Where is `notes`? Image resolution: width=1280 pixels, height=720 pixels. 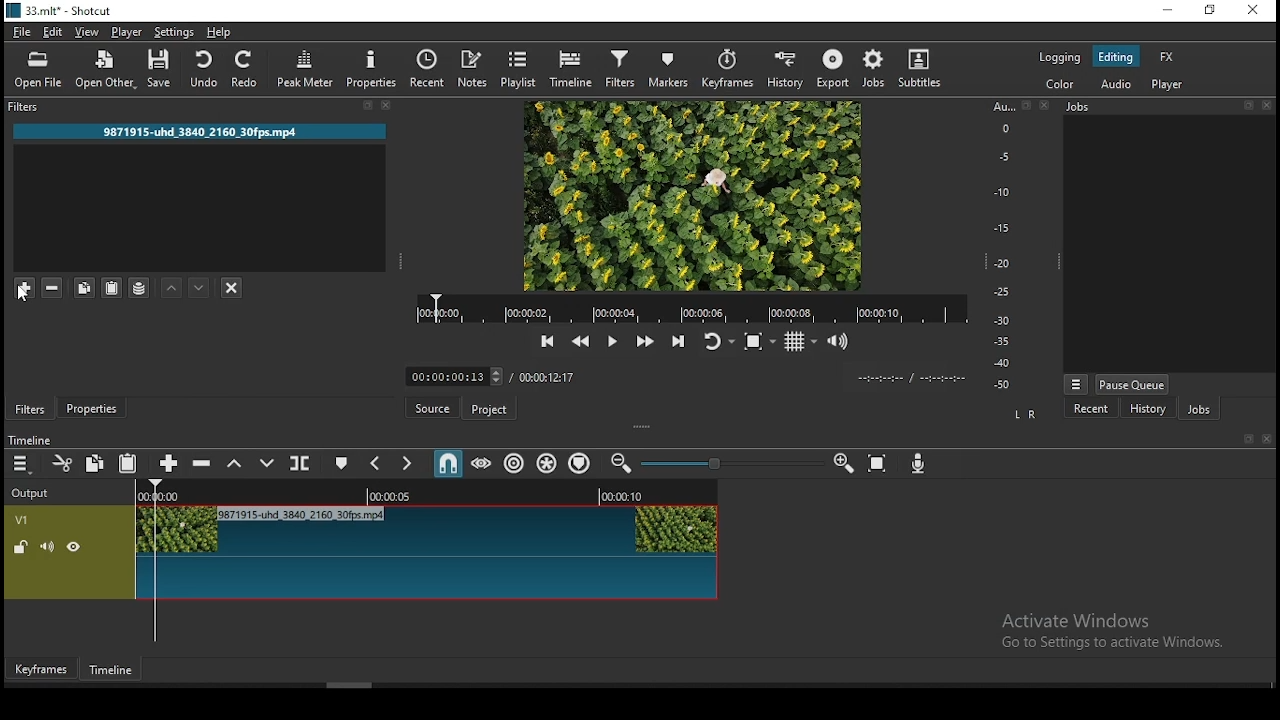 notes is located at coordinates (476, 65).